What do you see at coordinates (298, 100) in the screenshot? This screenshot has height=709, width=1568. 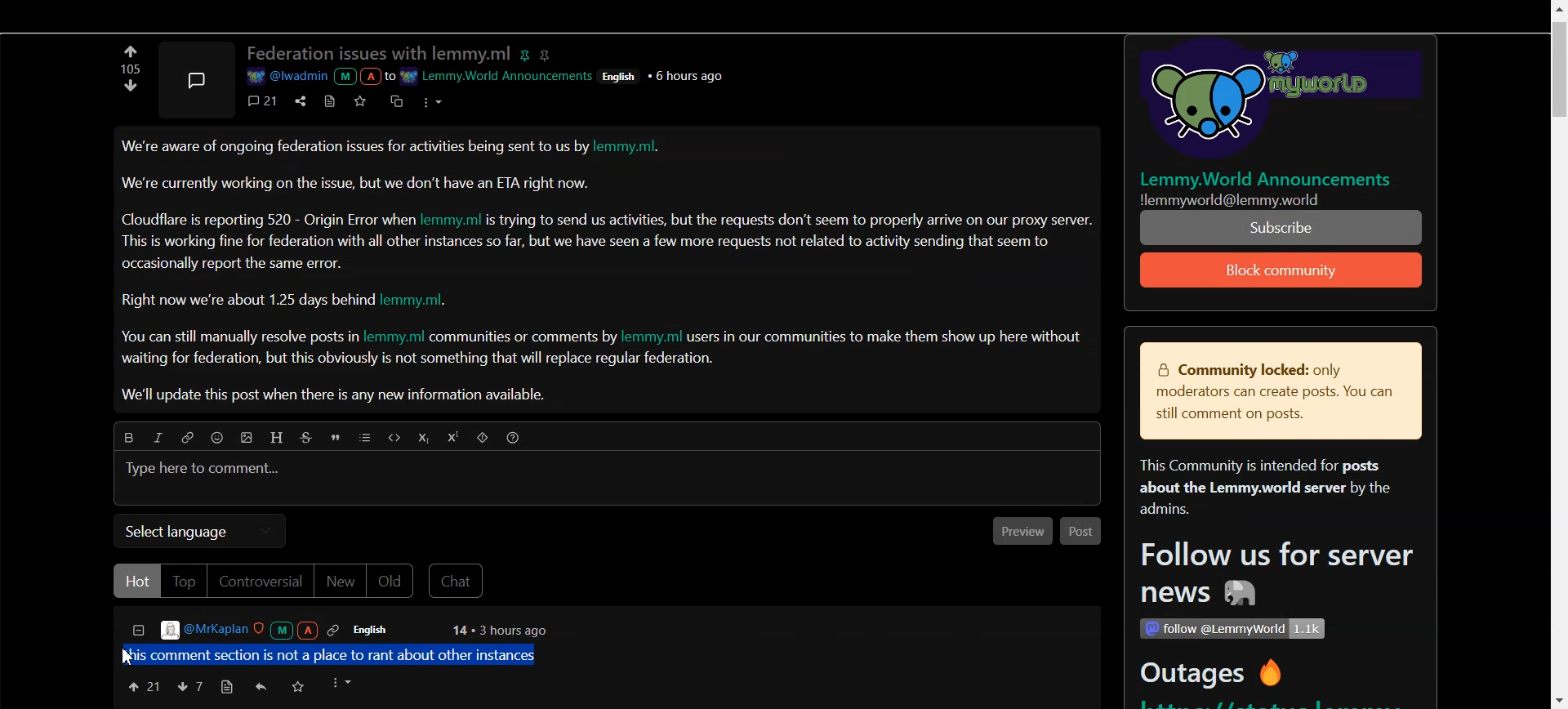 I see `share` at bounding box center [298, 100].